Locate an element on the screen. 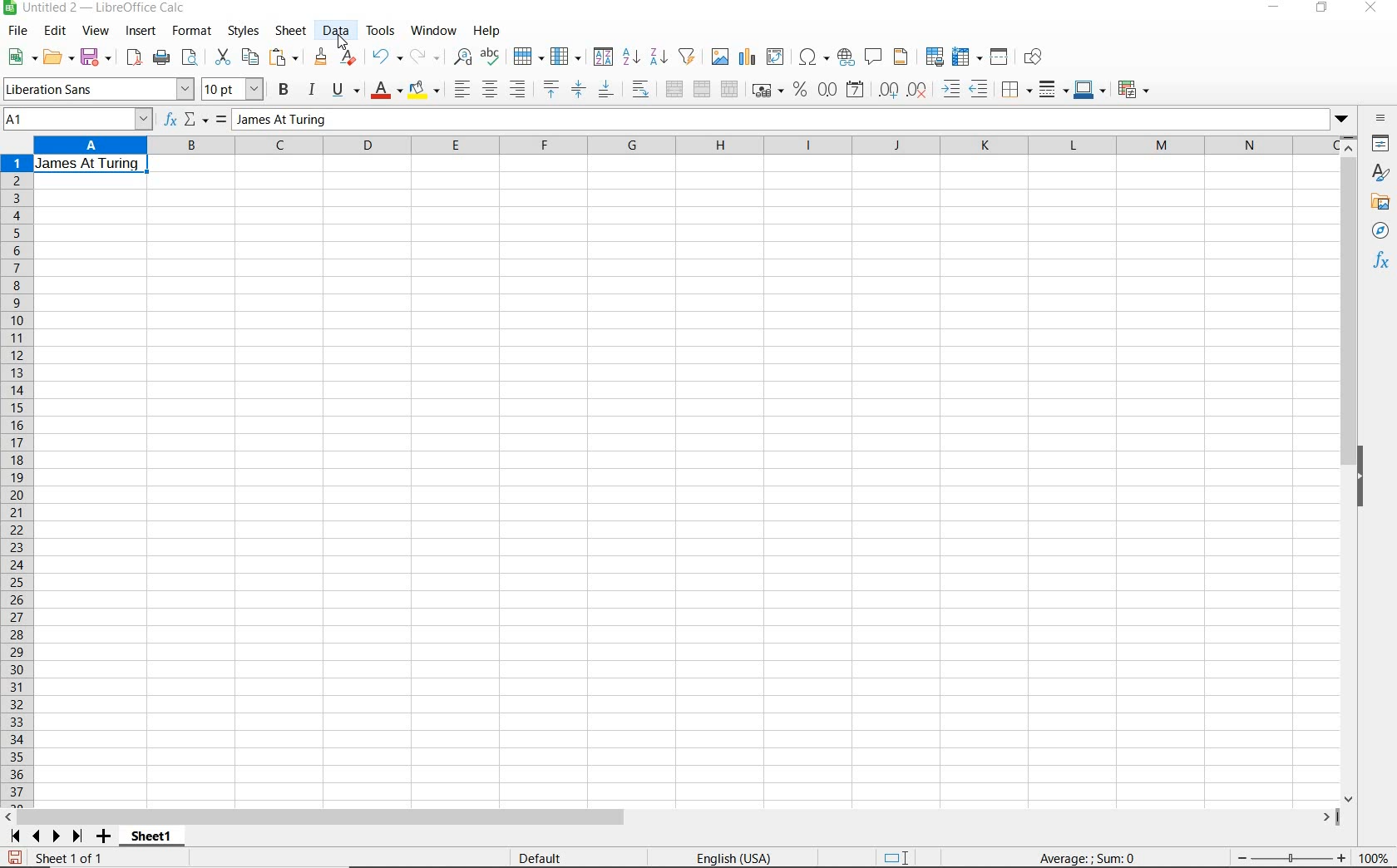  properties is located at coordinates (1381, 143).